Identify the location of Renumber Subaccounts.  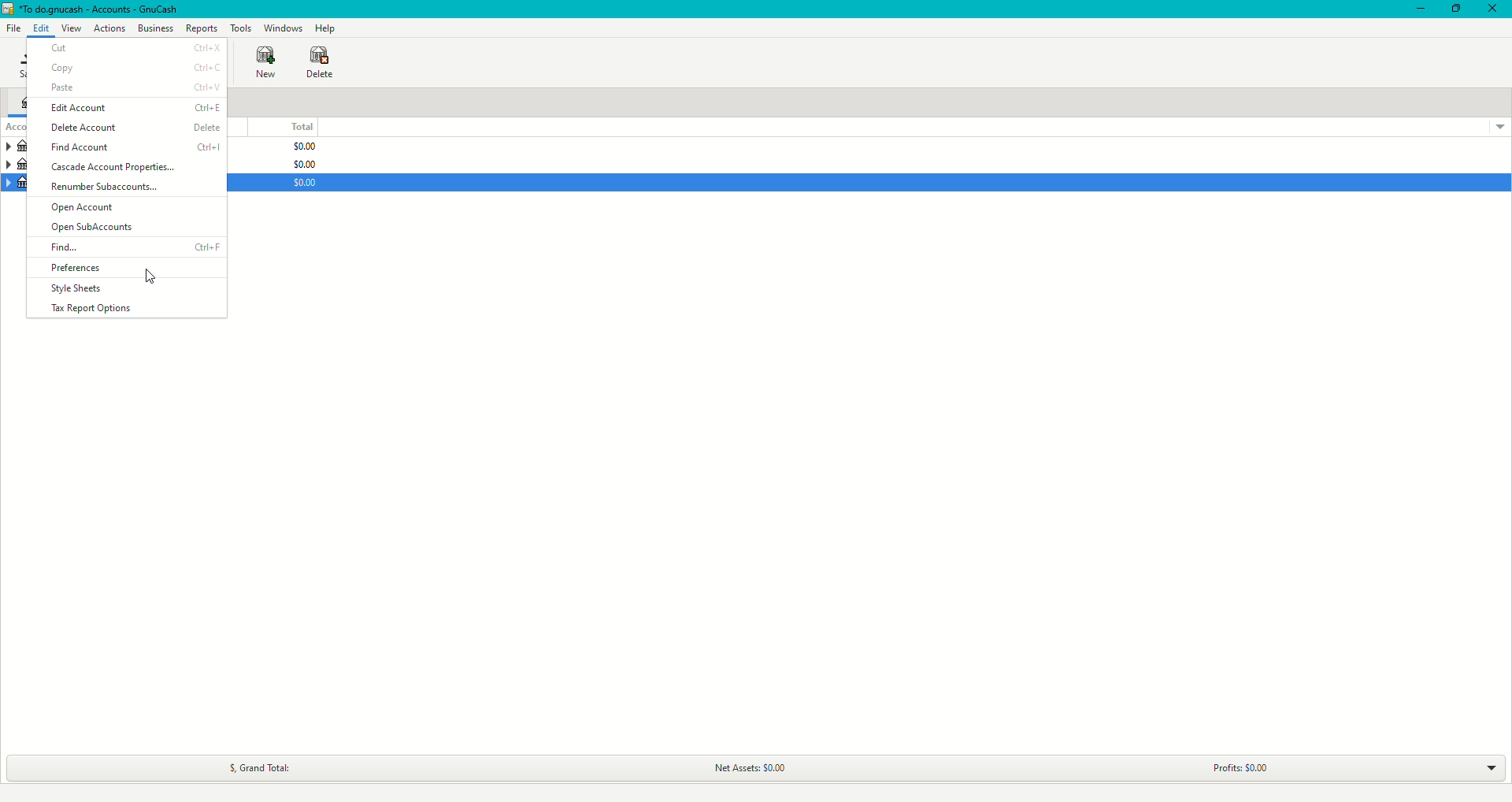
(107, 186).